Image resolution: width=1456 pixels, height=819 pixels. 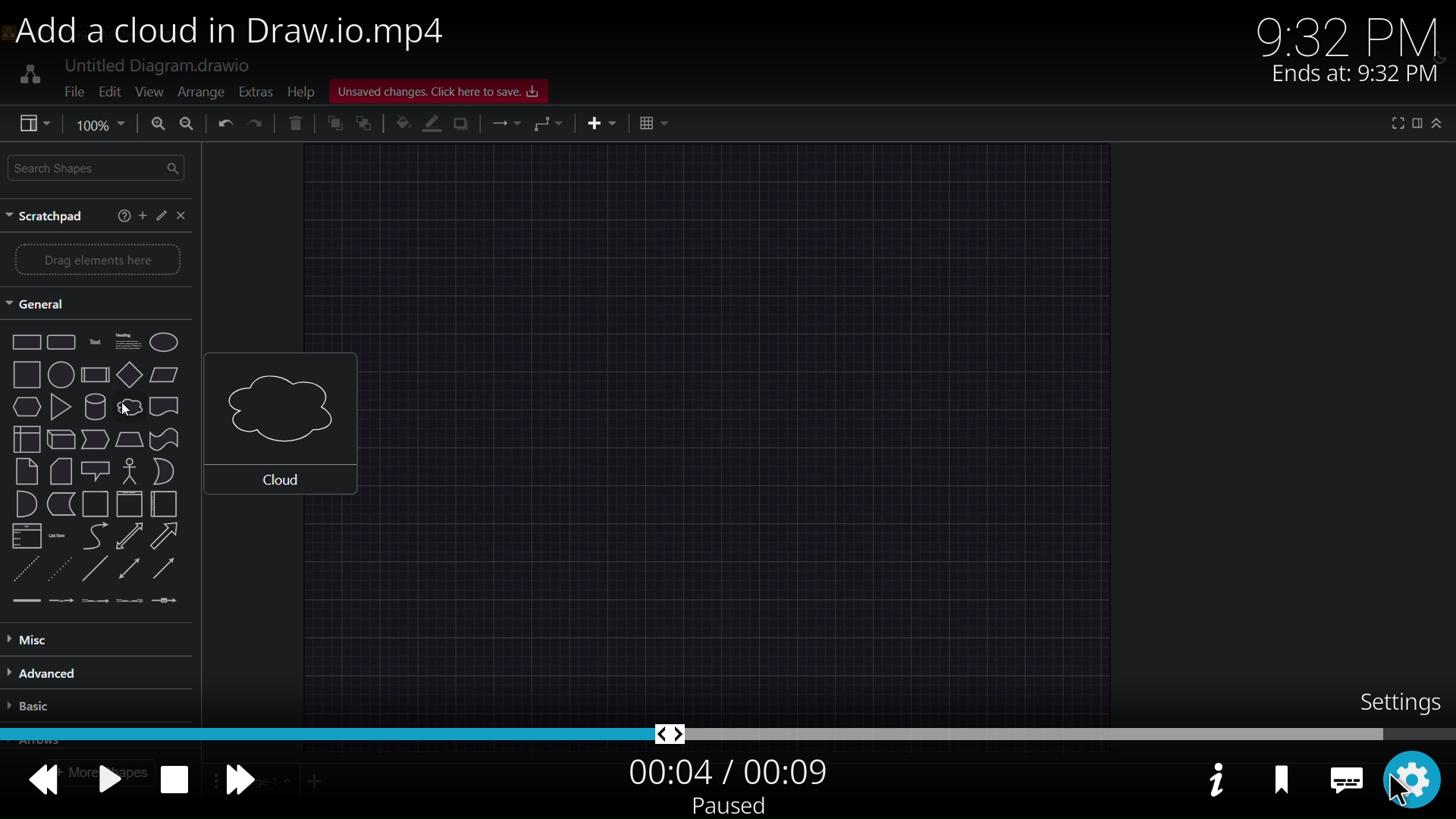 What do you see at coordinates (722, 378) in the screenshot?
I see `video display` at bounding box center [722, 378].